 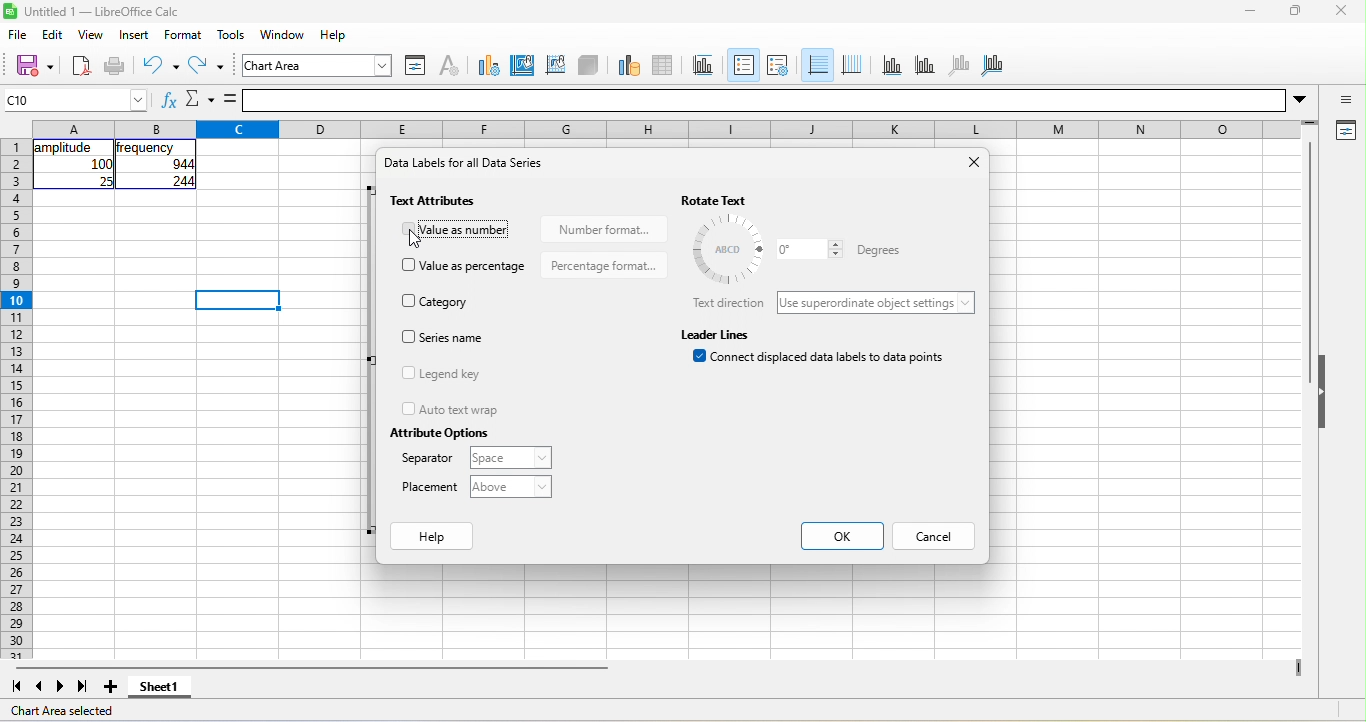 What do you see at coordinates (626, 64) in the screenshot?
I see `data range` at bounding box center [626, 64].